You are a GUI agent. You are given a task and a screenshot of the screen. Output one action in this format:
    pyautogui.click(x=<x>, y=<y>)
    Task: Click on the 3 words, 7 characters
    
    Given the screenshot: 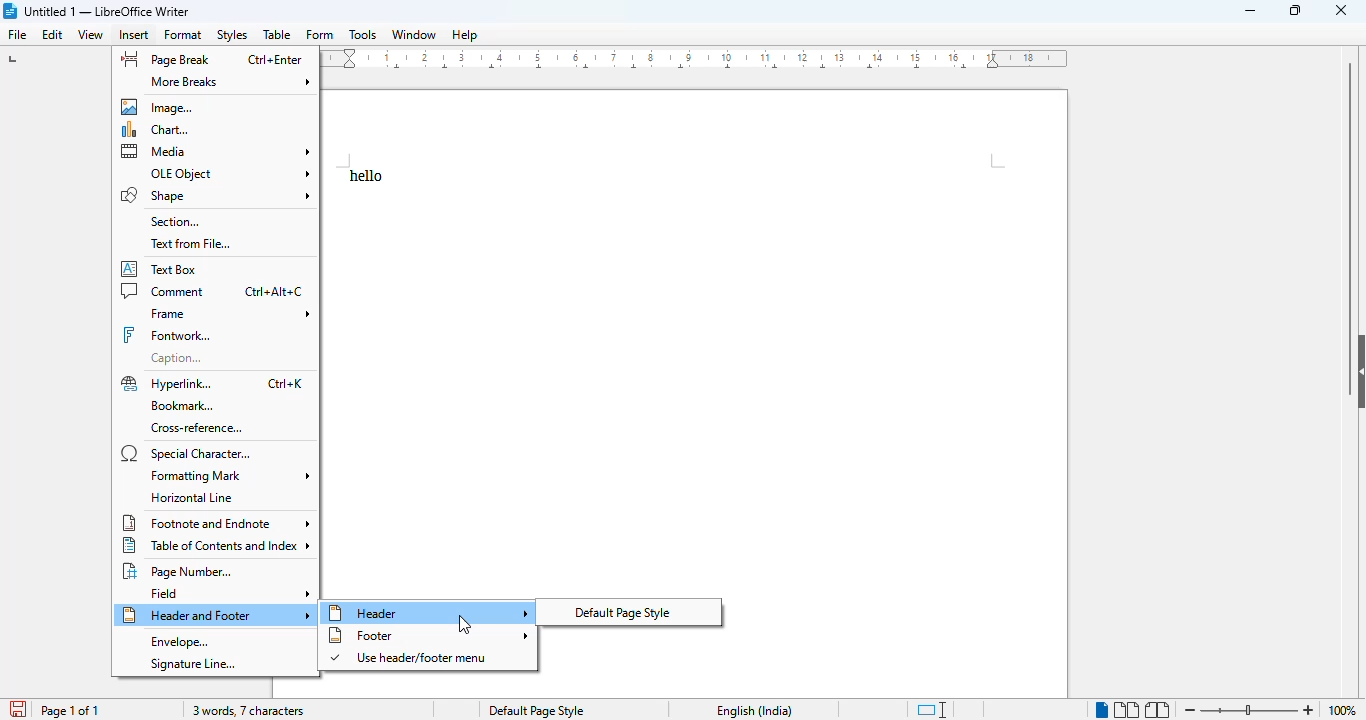 What is the action you would take?
    pyautogui.click(x=245, y=711)
    